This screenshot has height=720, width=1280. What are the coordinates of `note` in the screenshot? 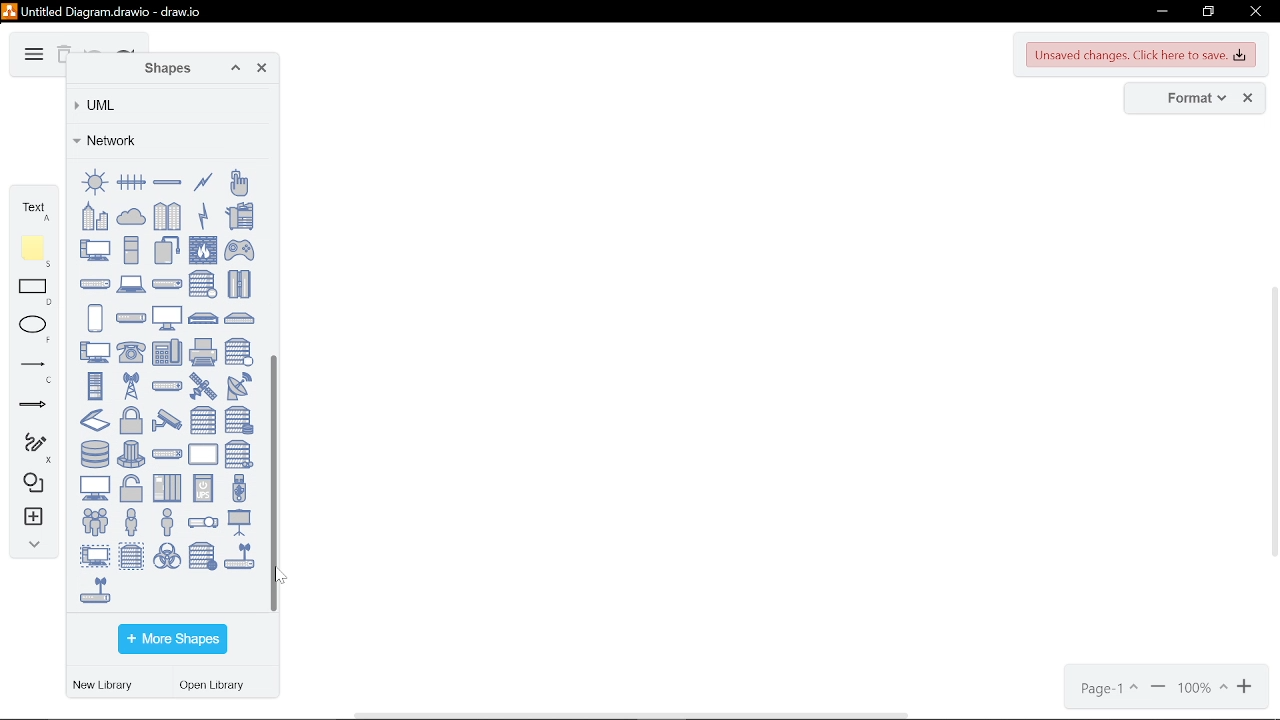 It's located at (36, 251).